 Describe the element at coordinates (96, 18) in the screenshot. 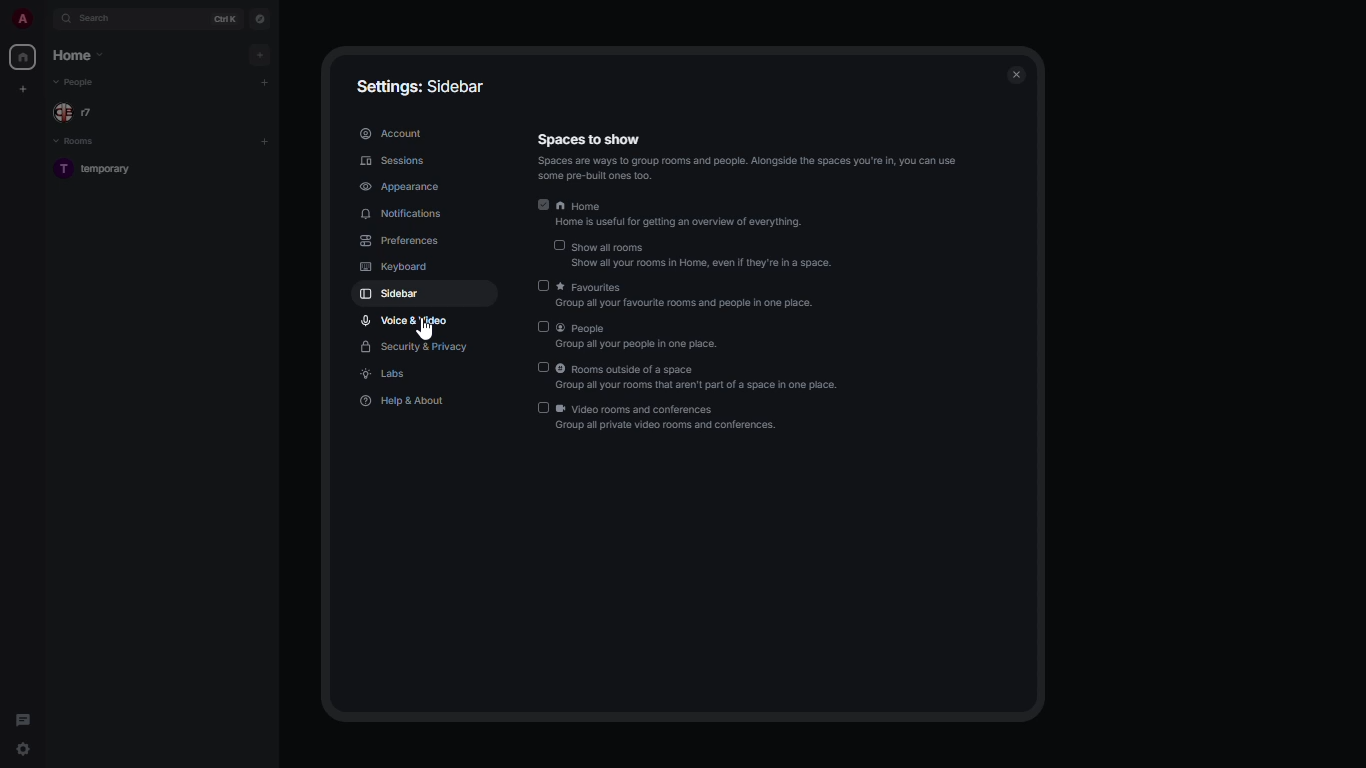

I see `search` at that location.